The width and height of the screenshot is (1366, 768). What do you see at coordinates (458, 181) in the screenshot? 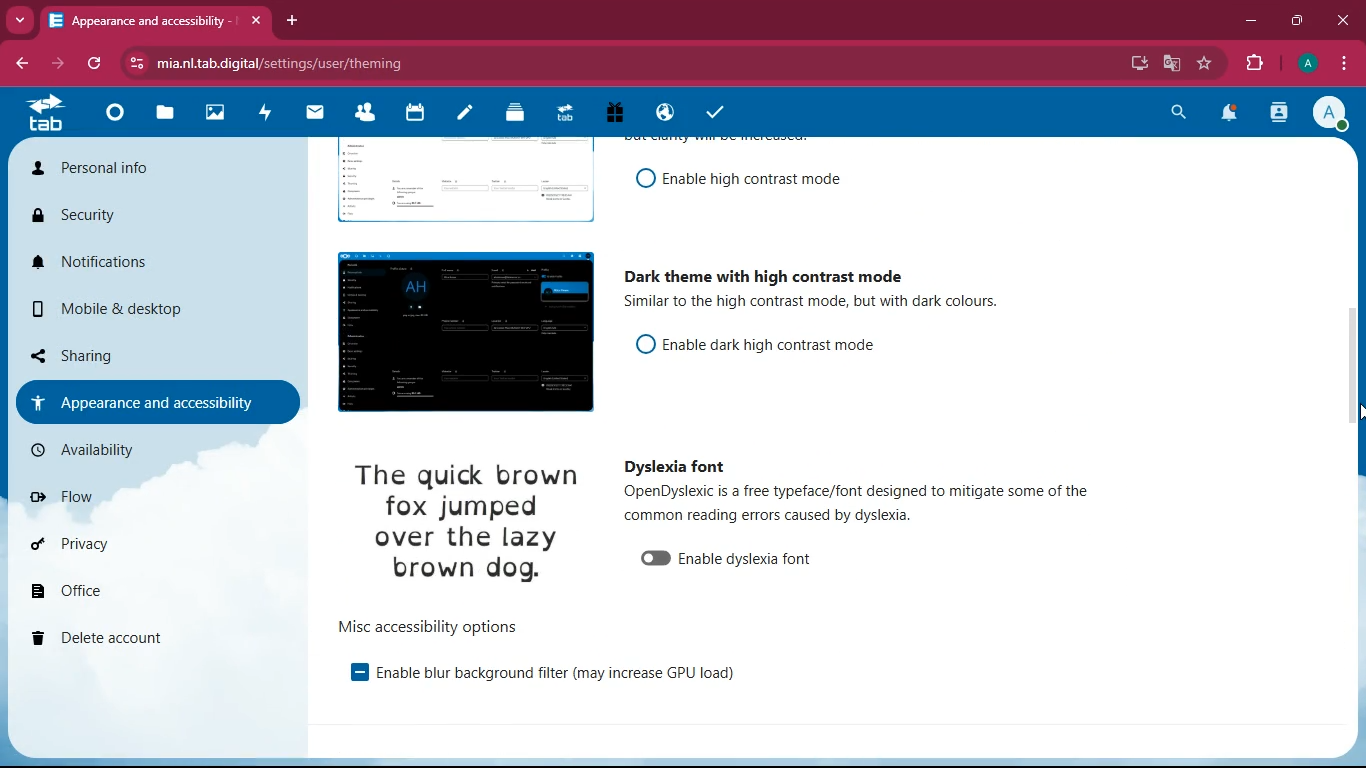
I see `image` at bounding box center [458, 181].